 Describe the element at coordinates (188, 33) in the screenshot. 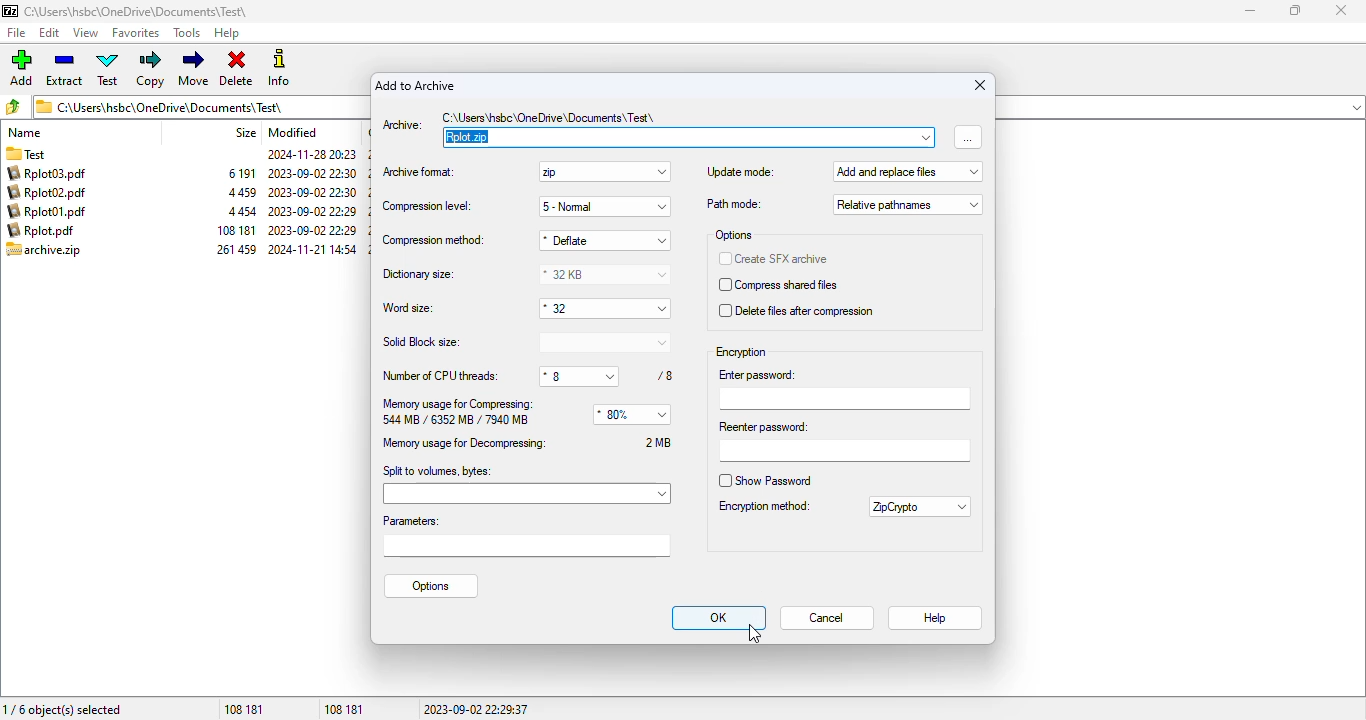

I see `tools` at that location.